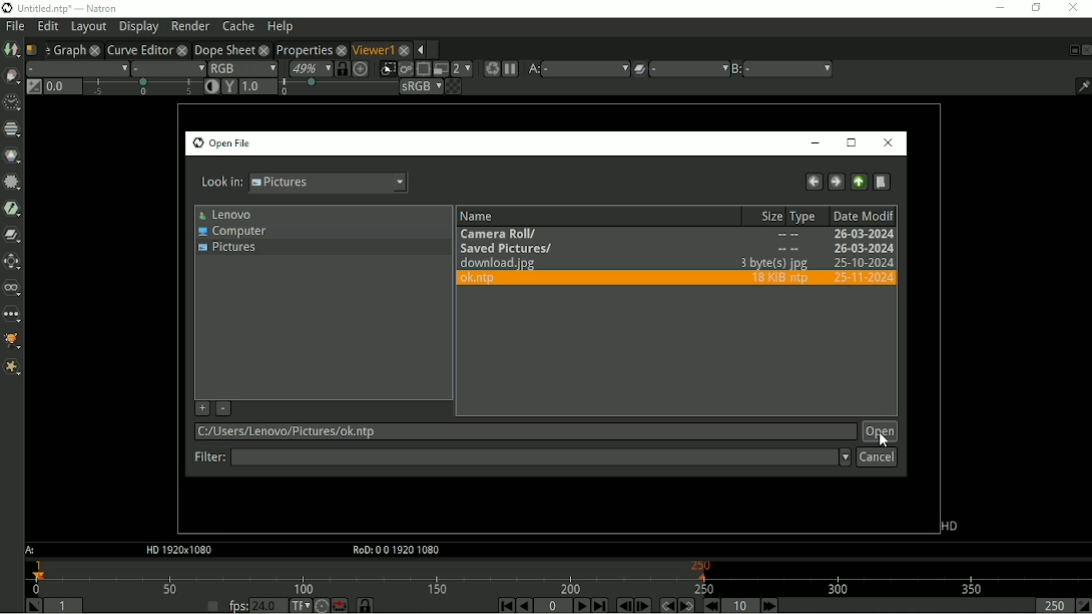  What do you see at coordinates (877, 458) in the screenshot?
I see `Cancel` at bounding box center [877, 458].